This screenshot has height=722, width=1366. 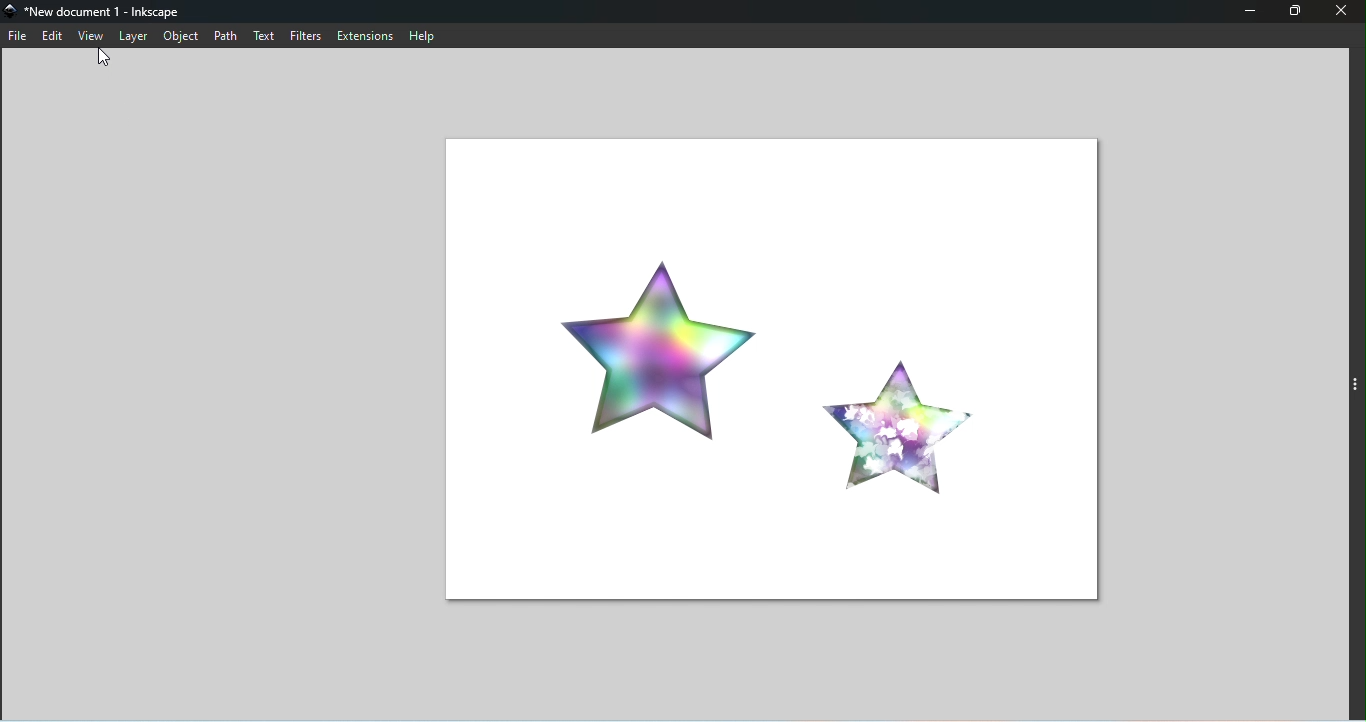 What do you see at coordinates (90, 35) in the screenshot?
I see `View` at bounding box center [90, 35].